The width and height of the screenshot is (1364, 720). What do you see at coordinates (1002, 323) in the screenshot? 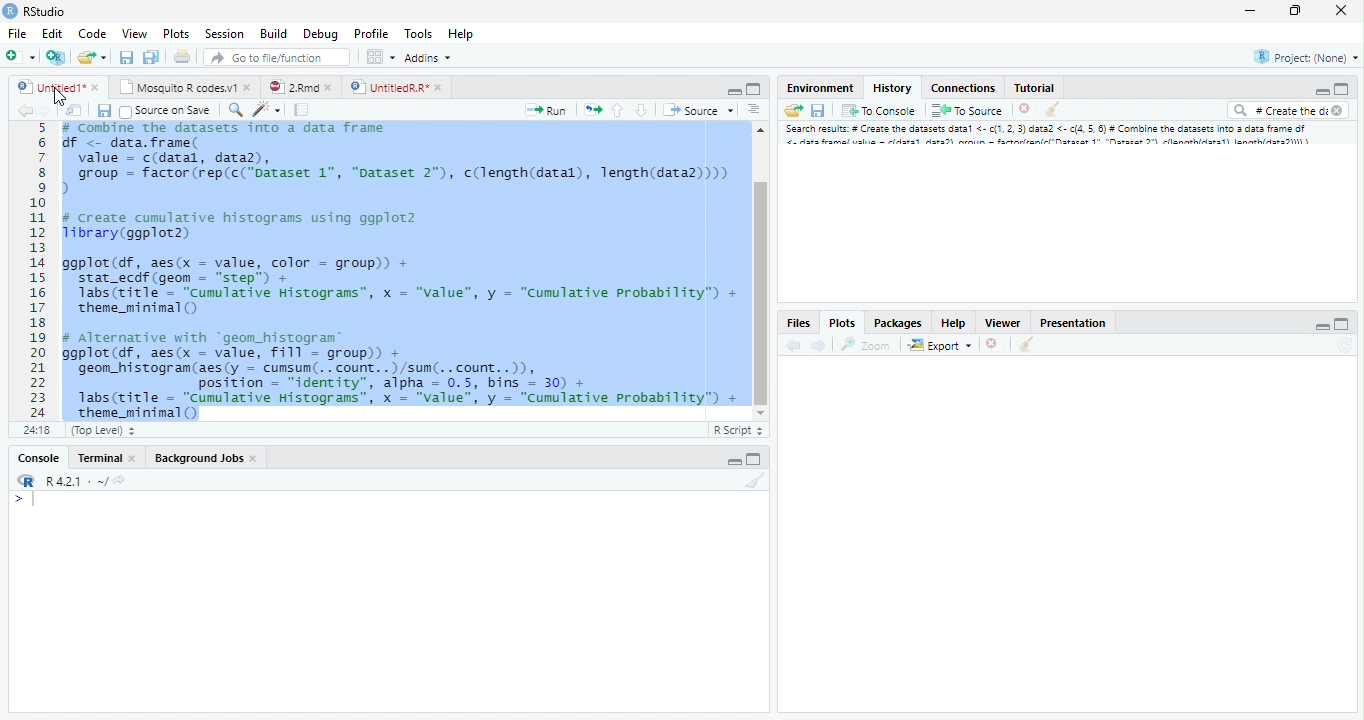
I see `Viewer` at bounding box center [1002, 323].